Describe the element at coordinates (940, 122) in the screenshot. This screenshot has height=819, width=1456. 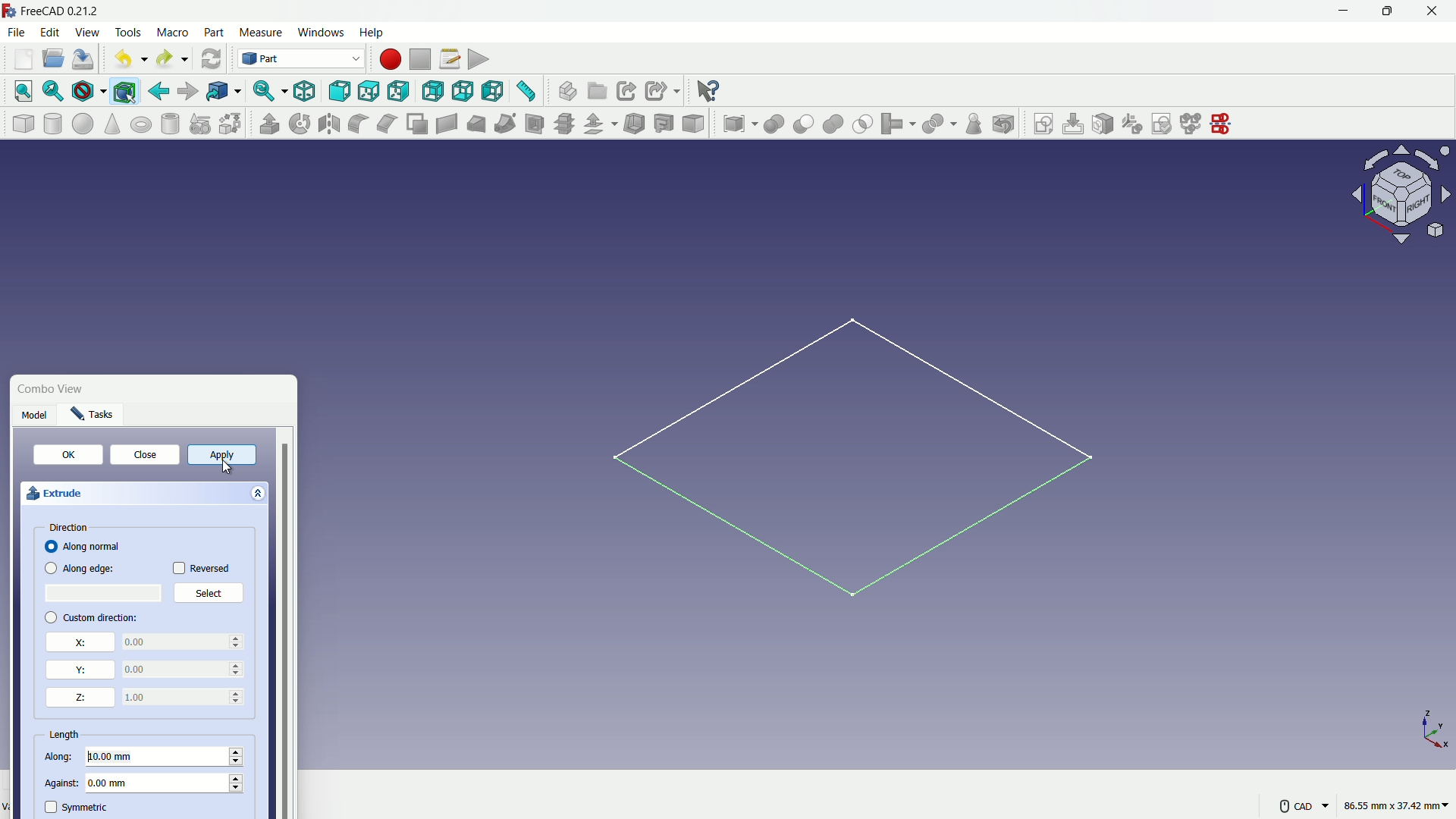
I see `split object` at that location.